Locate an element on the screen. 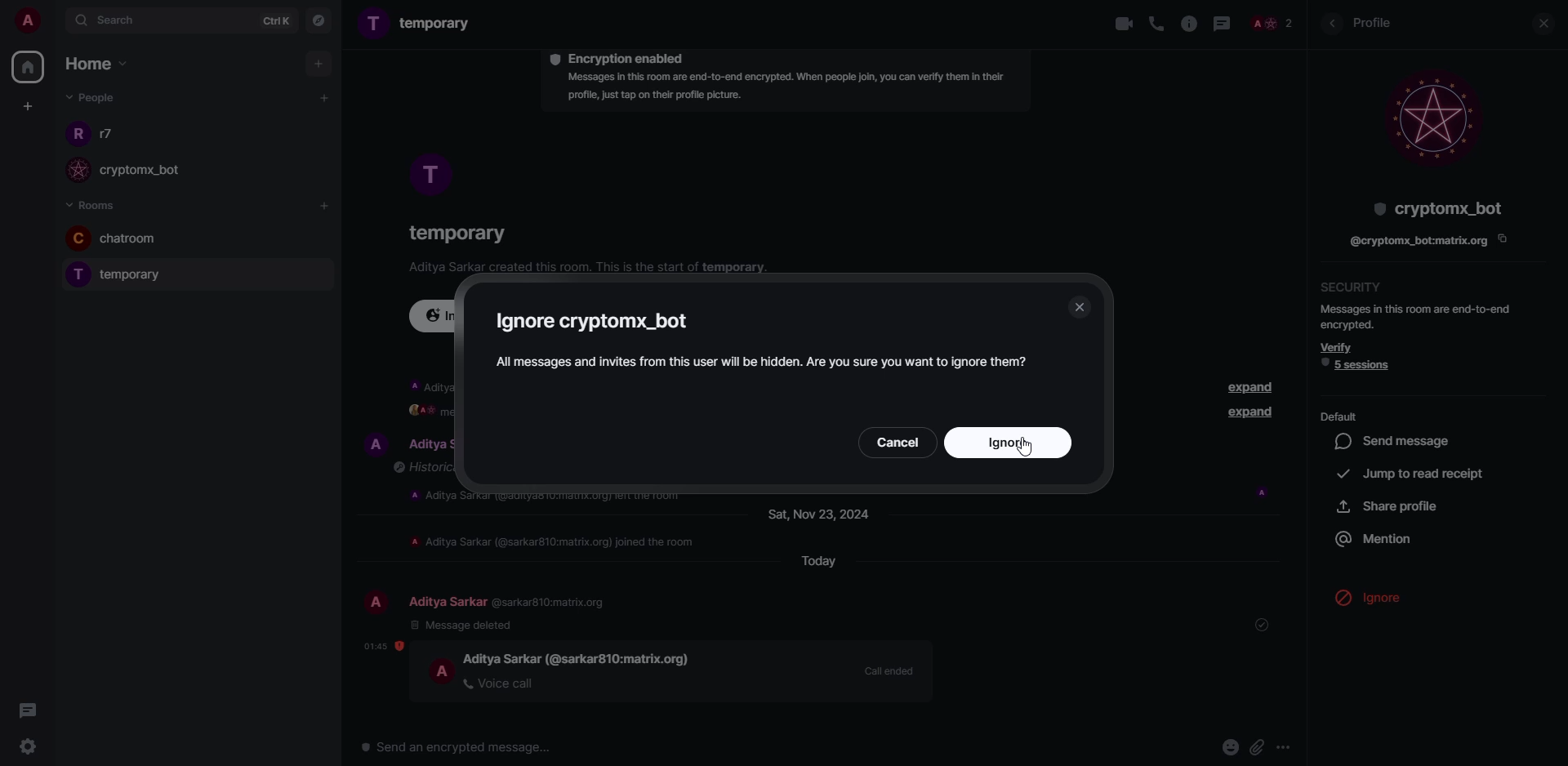 This screenshot has width=1568, height=766. voice call is located at coordinates (501, 683).